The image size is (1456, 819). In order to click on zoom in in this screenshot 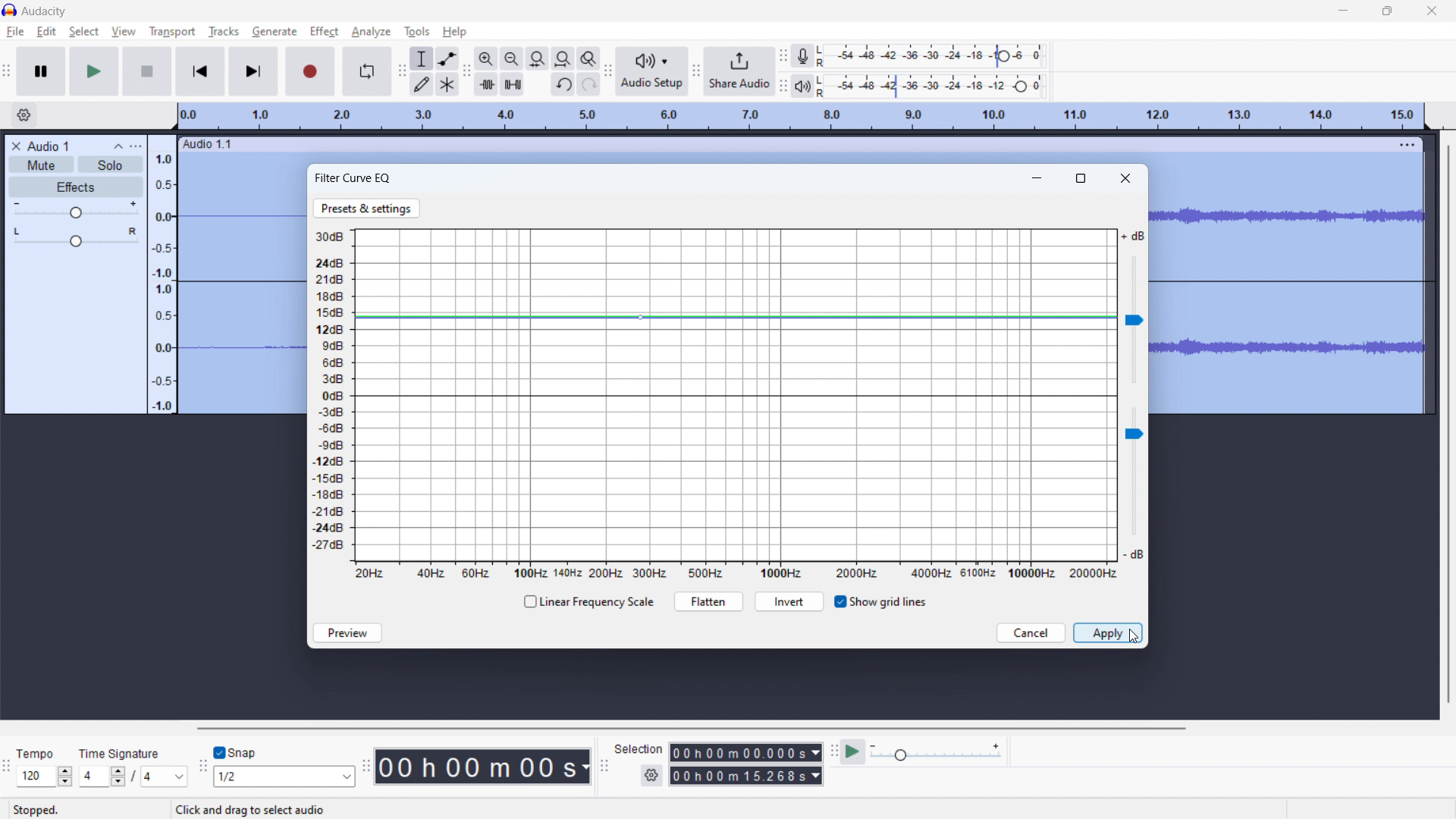, I will do `click(486, 58)`.